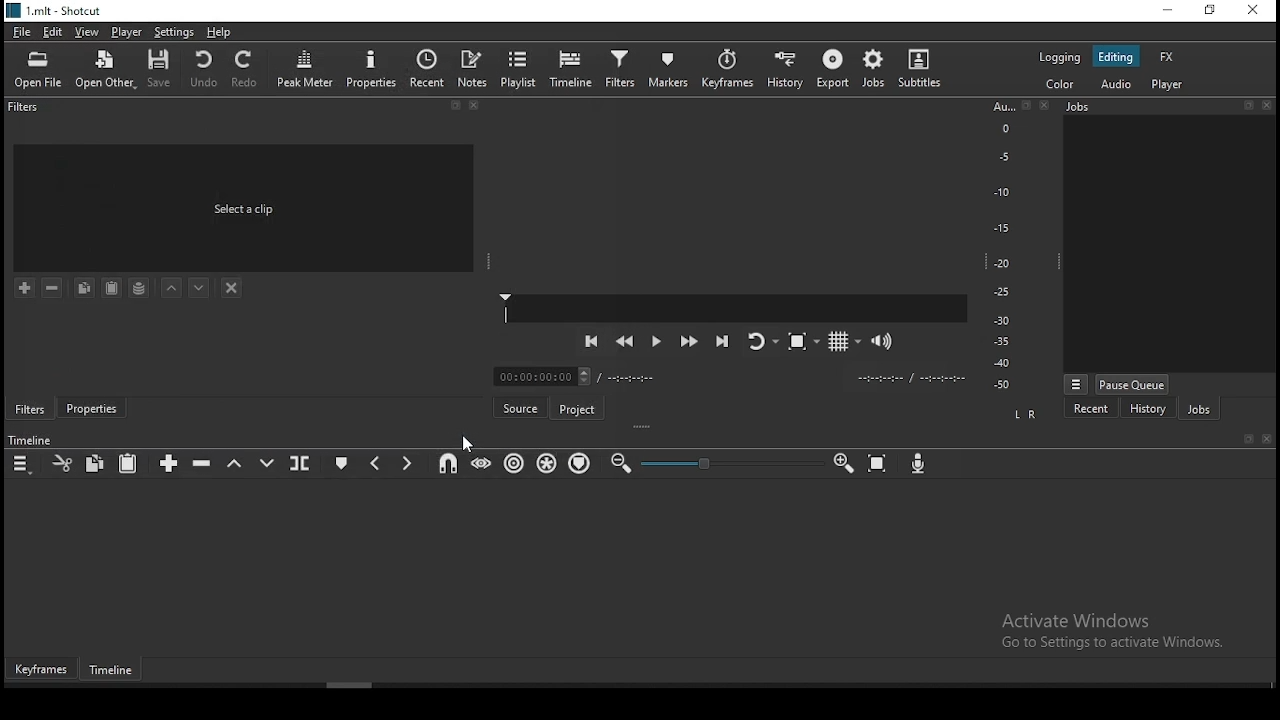 The width and height of the screenshot is (1280, 720). Describe the element at coordinates (621, 462) in the screenshot. I see `zoom timeline out` at that location.